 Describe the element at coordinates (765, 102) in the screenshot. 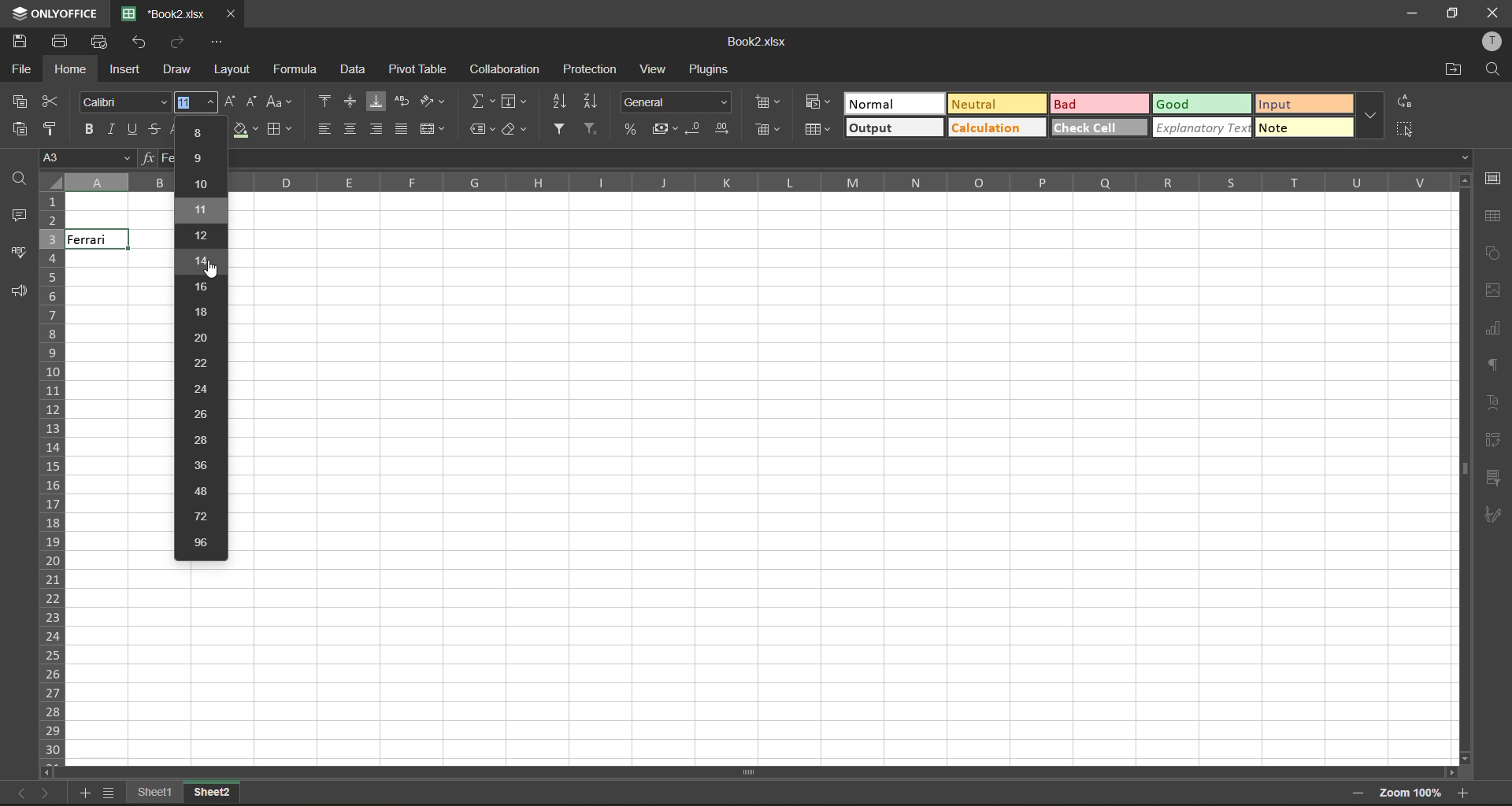

I see `insert cells` at that location.